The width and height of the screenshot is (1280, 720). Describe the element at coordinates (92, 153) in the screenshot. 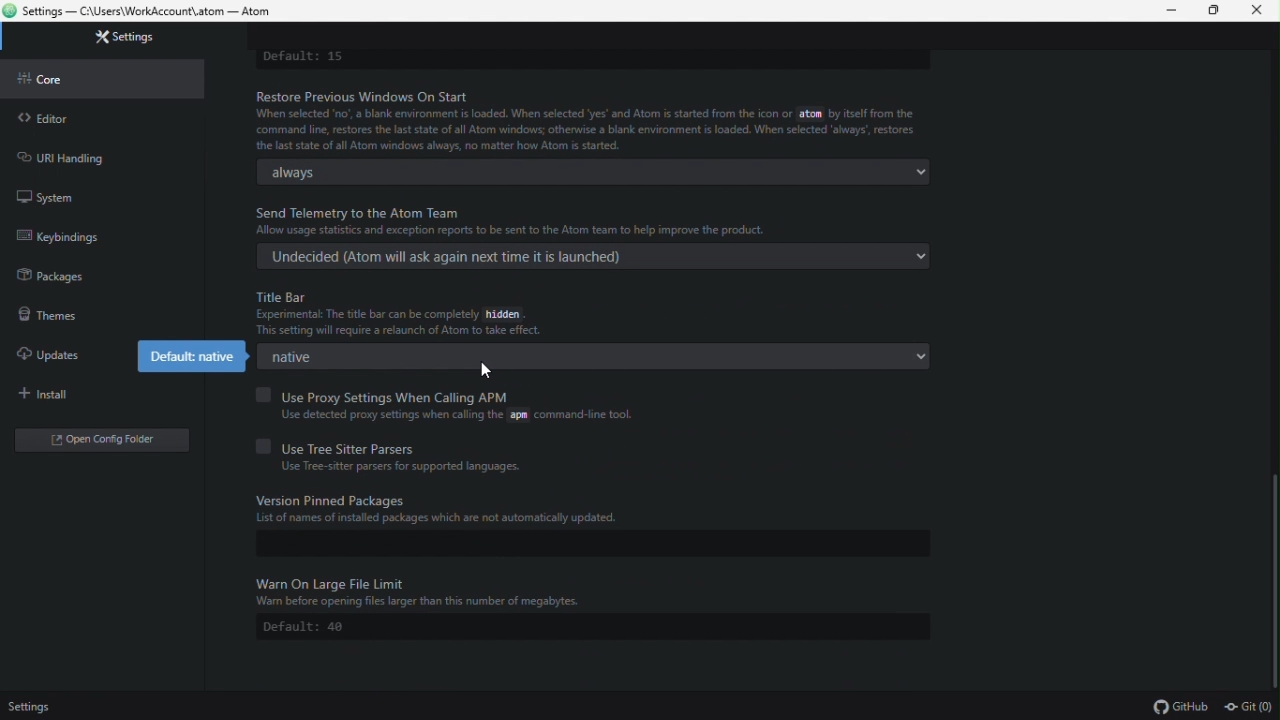

I see `url handling` at that location.